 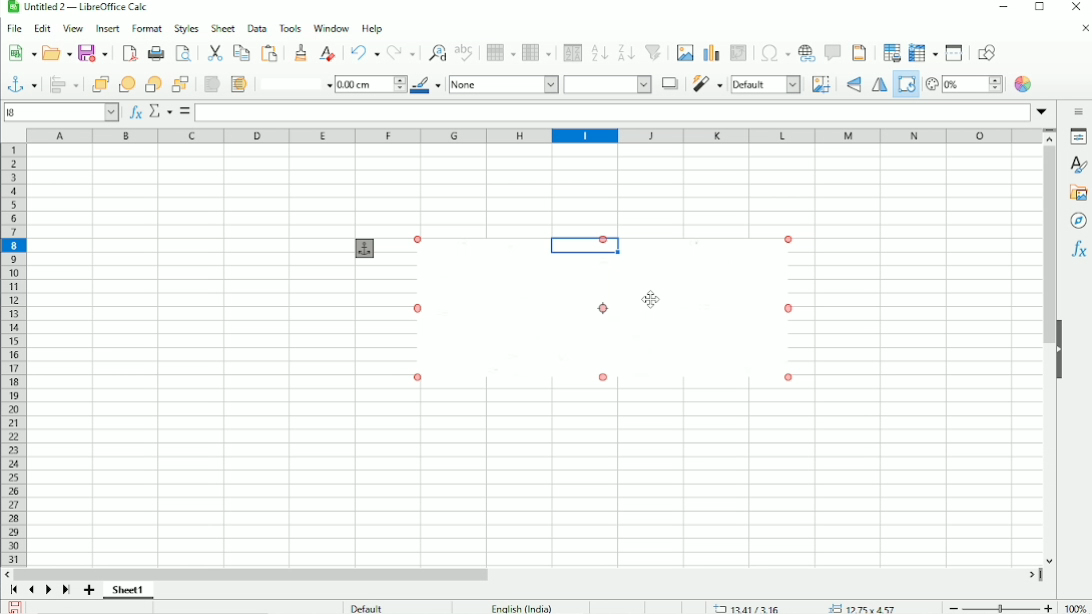 I want to click on Scroll to previous sheet, so click(x=30, y=590).